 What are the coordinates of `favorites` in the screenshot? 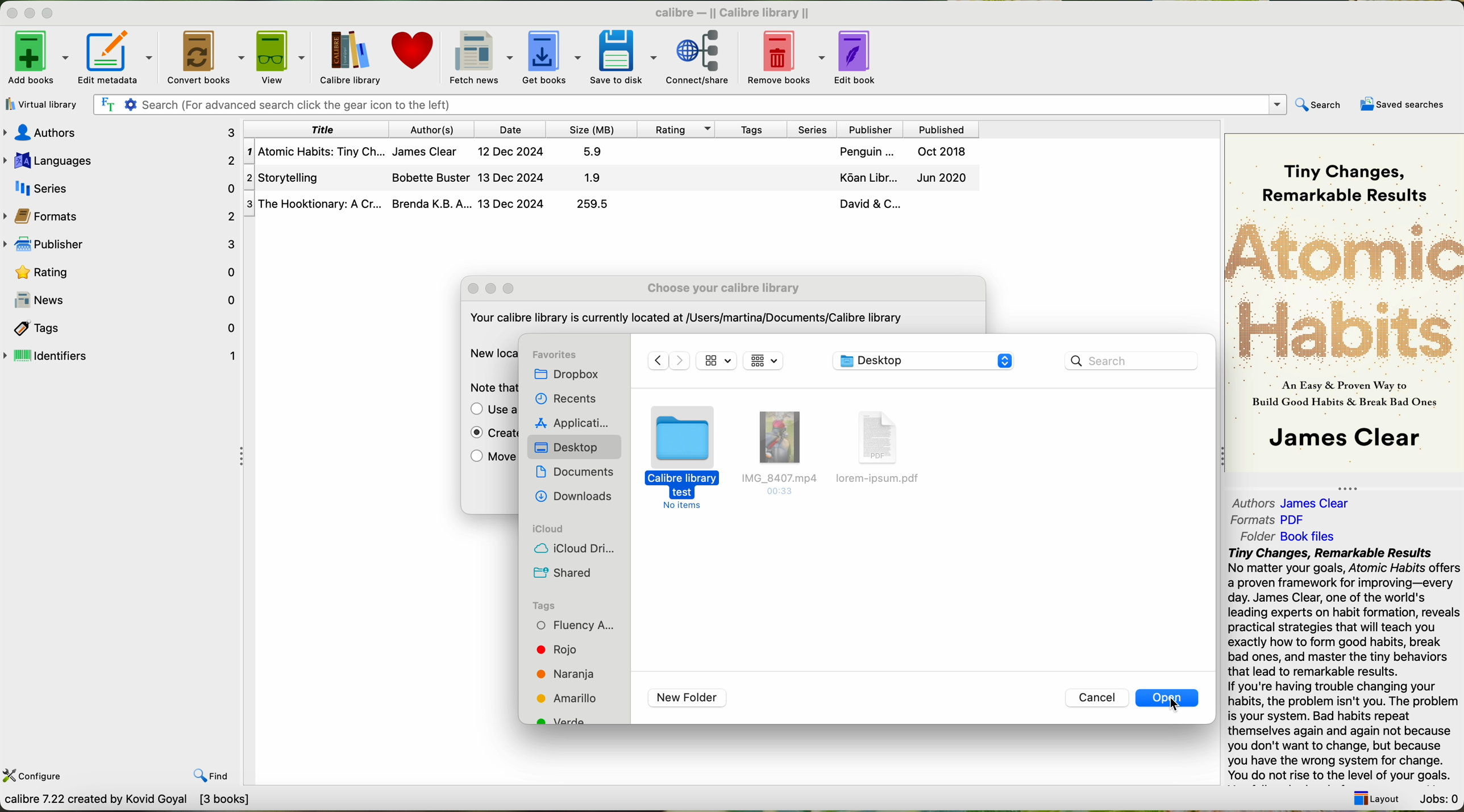 It's located at (555, 355).